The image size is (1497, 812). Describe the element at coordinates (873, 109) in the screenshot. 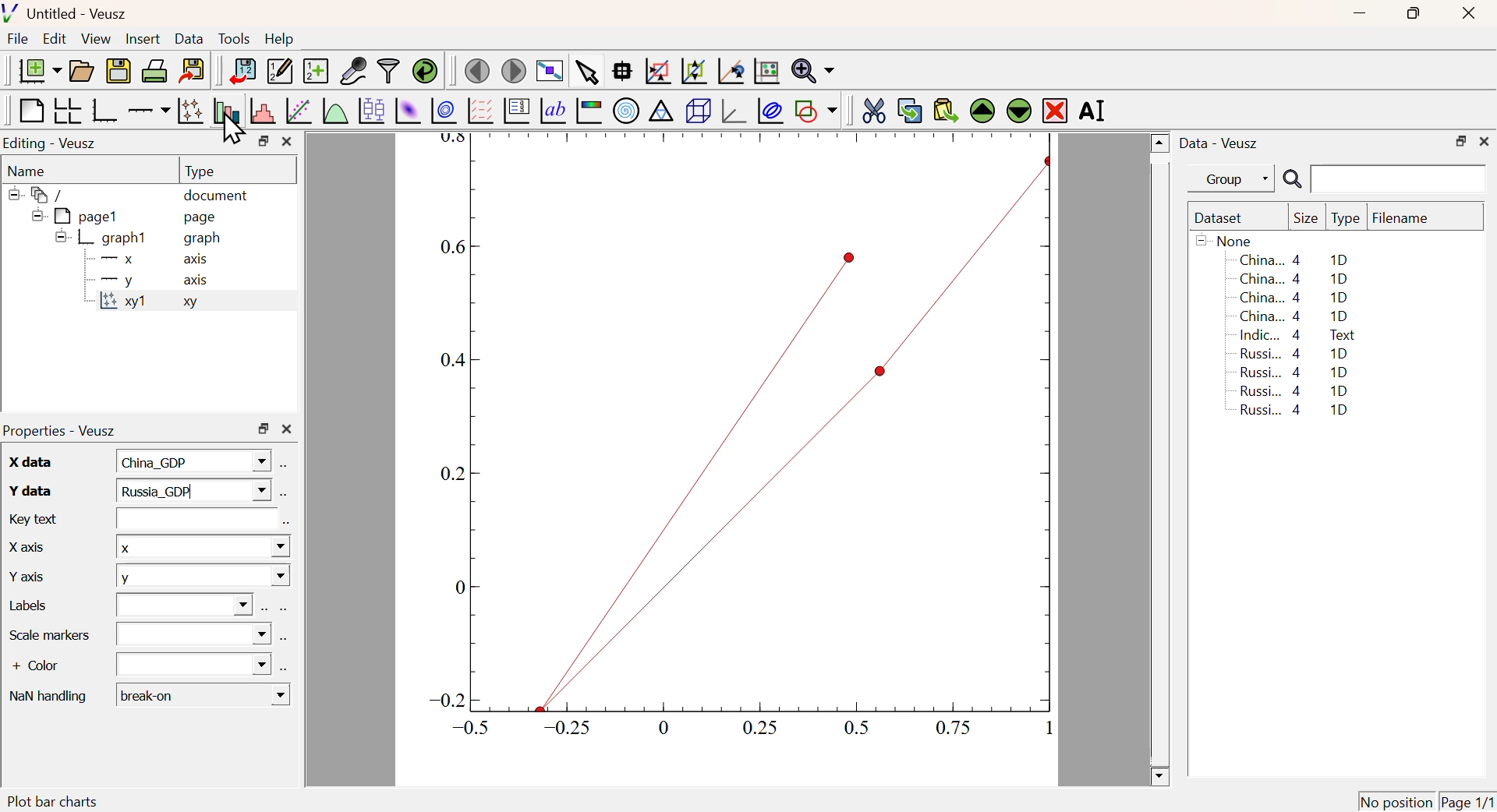

I see `Cut` at that location.